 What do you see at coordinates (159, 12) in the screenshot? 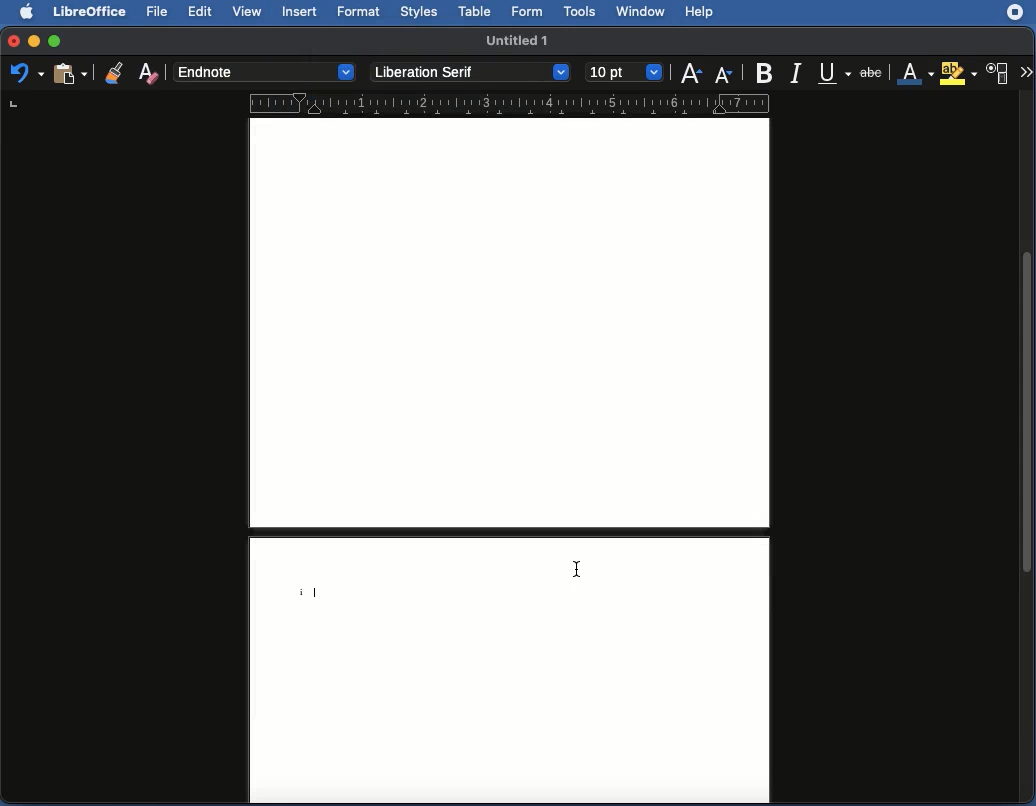
I see `File` at bounding box center [159, 12].